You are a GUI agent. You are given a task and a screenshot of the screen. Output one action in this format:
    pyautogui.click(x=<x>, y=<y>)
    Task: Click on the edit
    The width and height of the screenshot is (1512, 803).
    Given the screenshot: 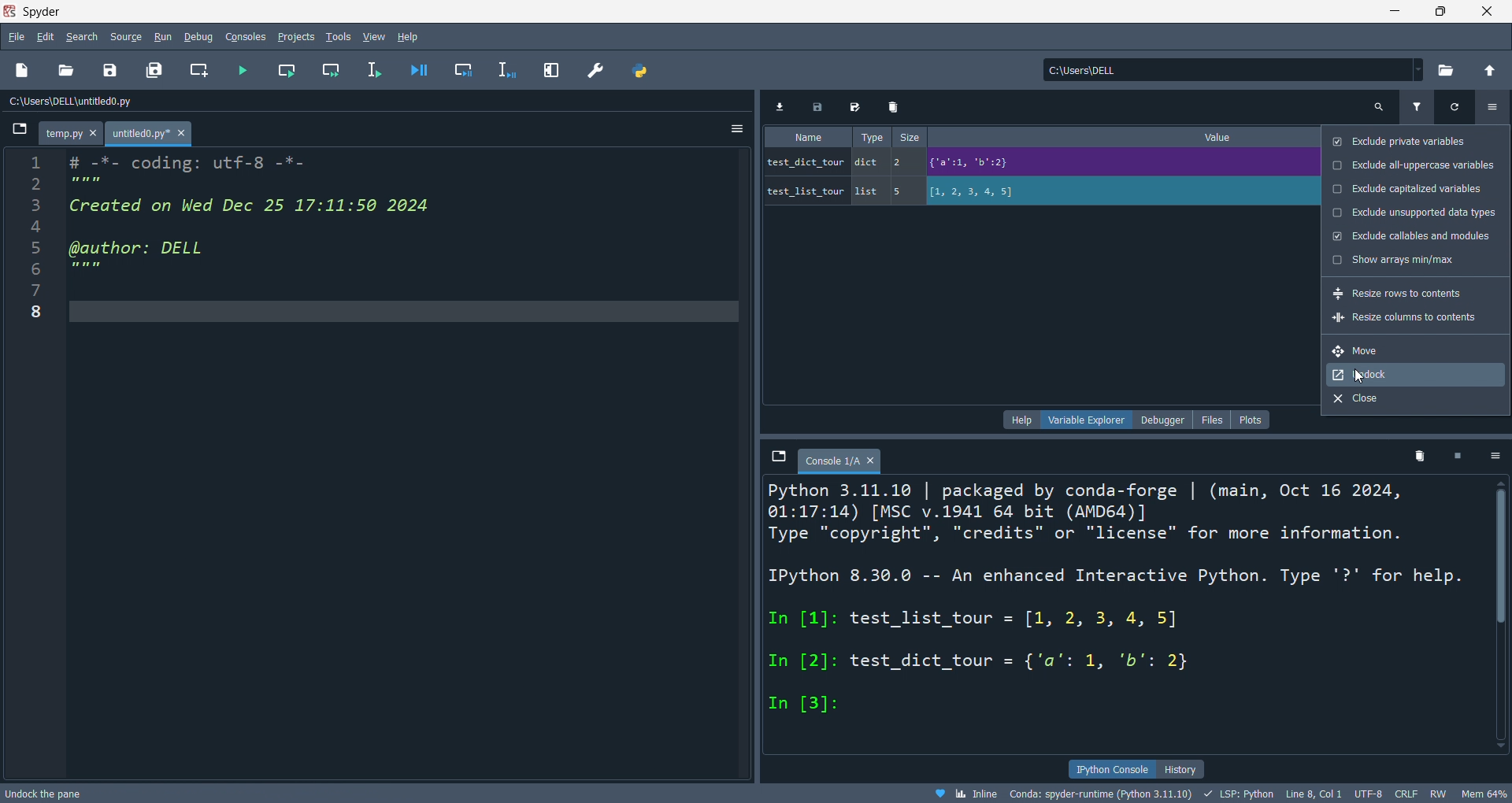 What is the action you would take?
    pyautogui.click(x=45, y=36)
    